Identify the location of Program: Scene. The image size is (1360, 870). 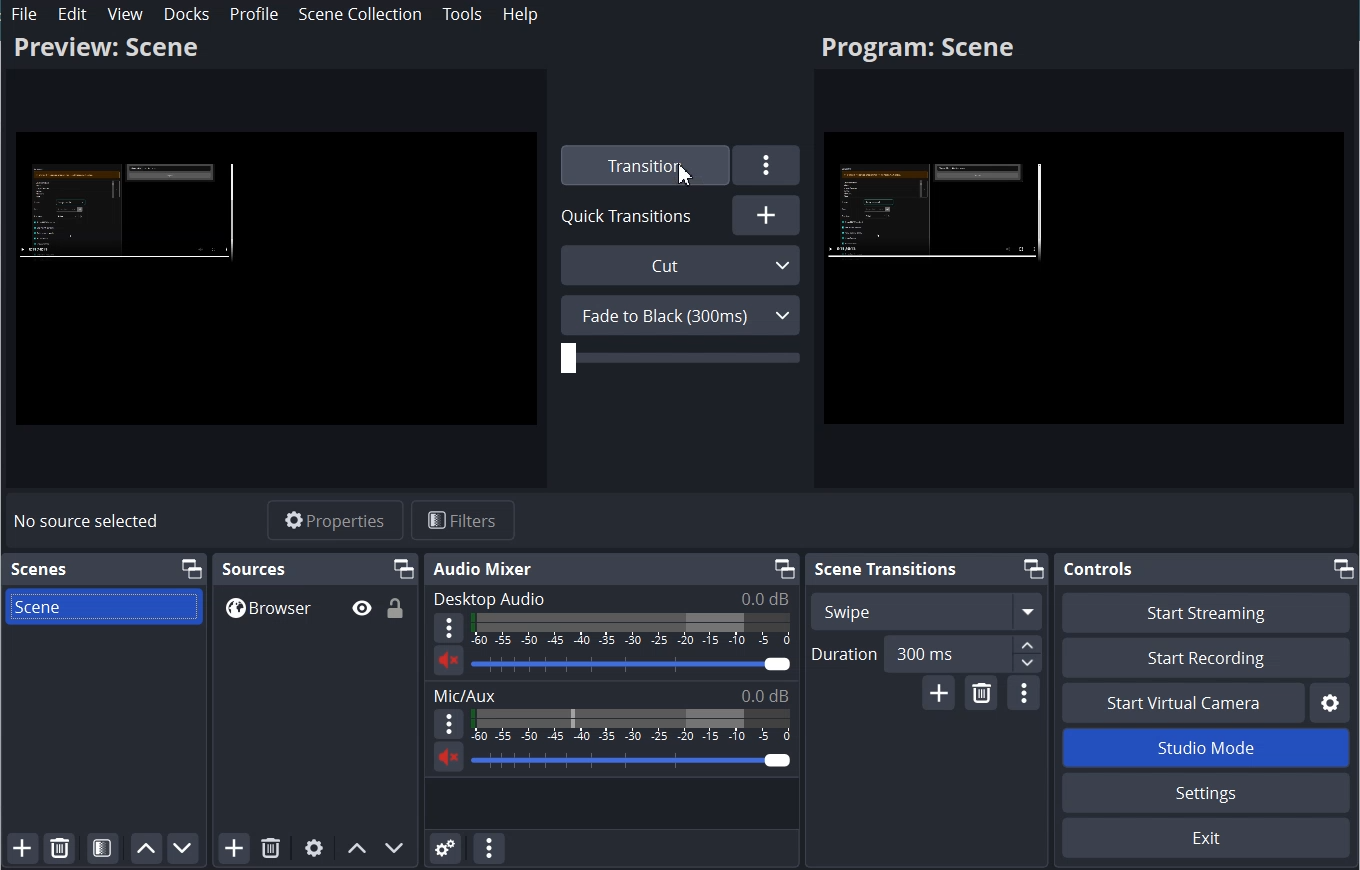
(917, 50).